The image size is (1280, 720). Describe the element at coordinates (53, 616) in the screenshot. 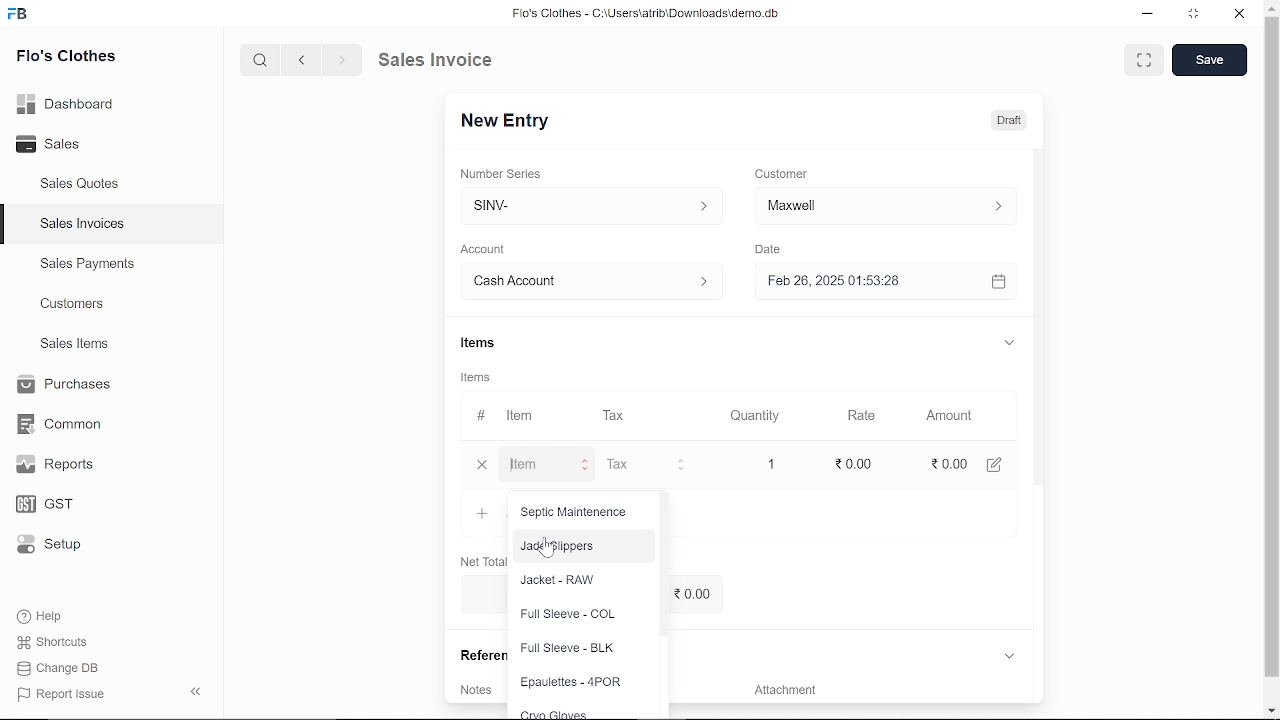

I see `Help` at that location.